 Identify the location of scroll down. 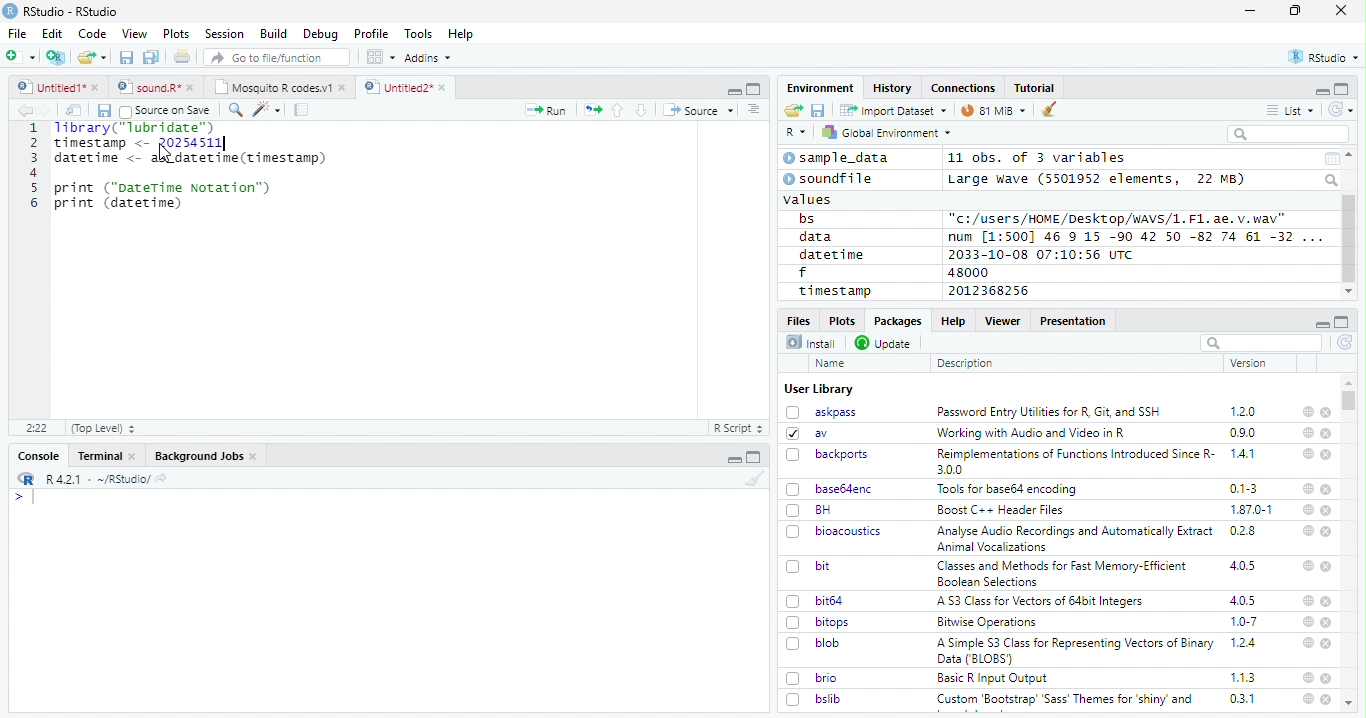
(1348, 292).